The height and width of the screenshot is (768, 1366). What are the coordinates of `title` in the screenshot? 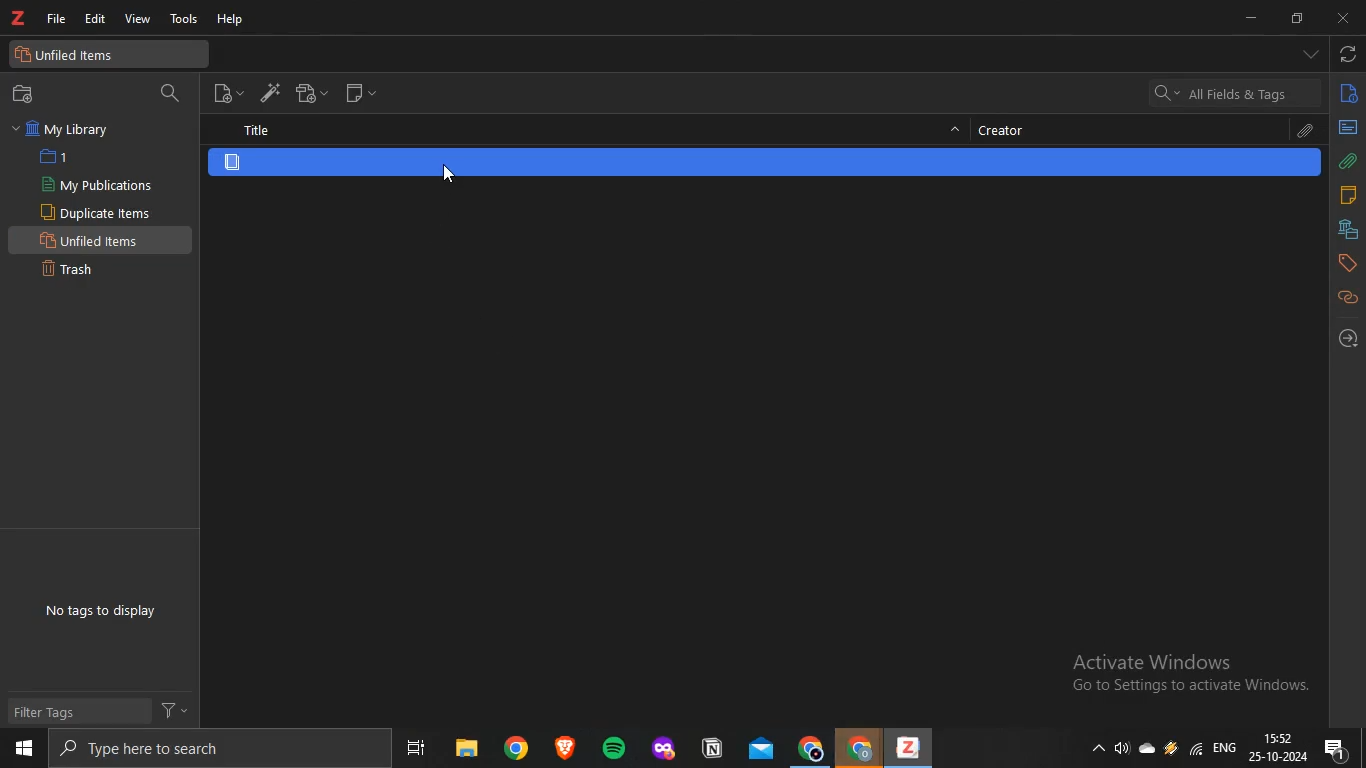 It's located at (255, 131).